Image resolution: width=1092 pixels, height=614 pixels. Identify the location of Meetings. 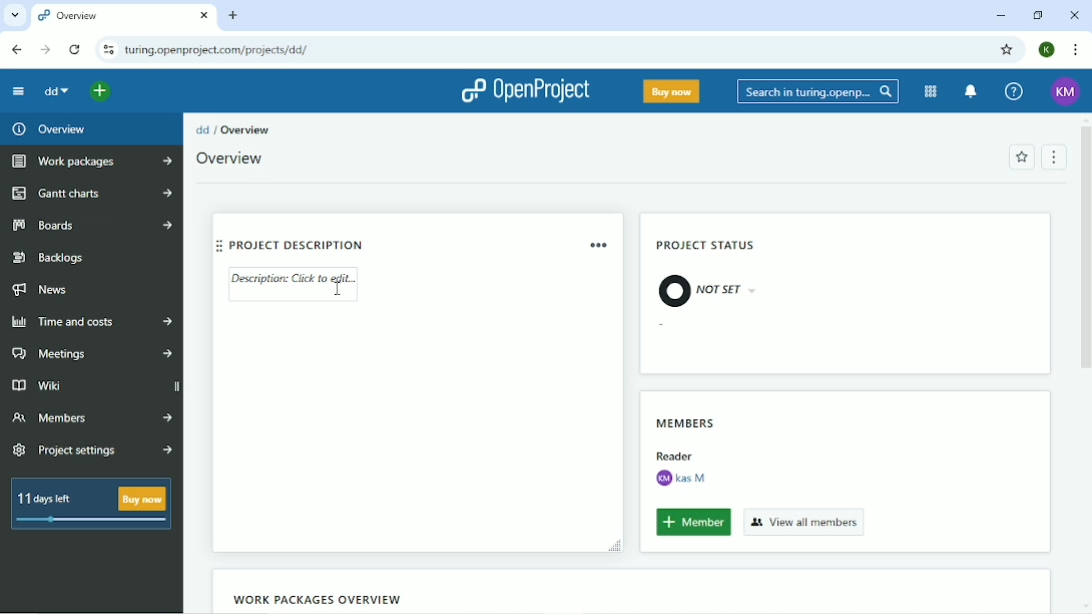
(90, 354).